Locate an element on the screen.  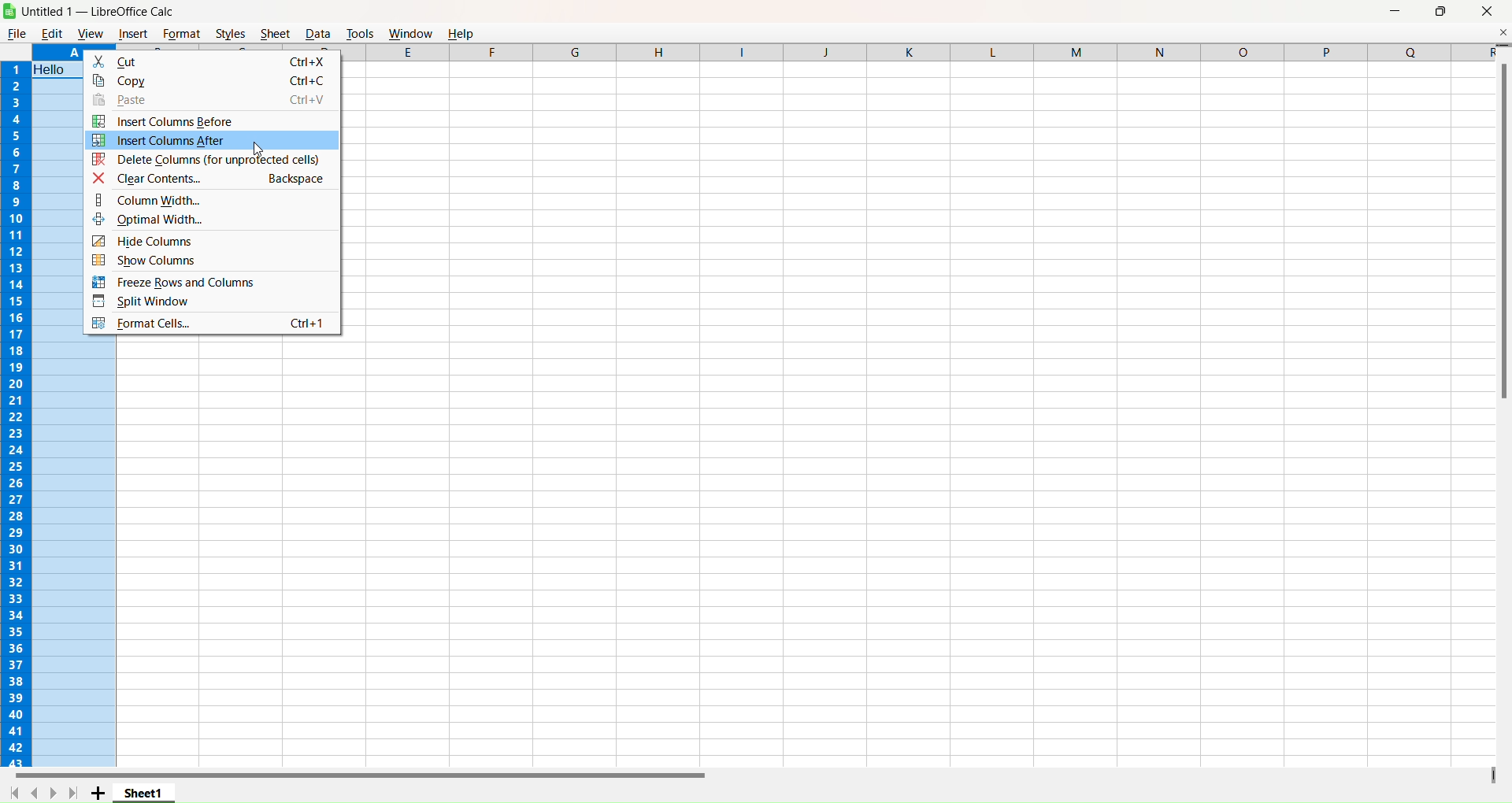
column A selected is located at coordinates (75, 553).